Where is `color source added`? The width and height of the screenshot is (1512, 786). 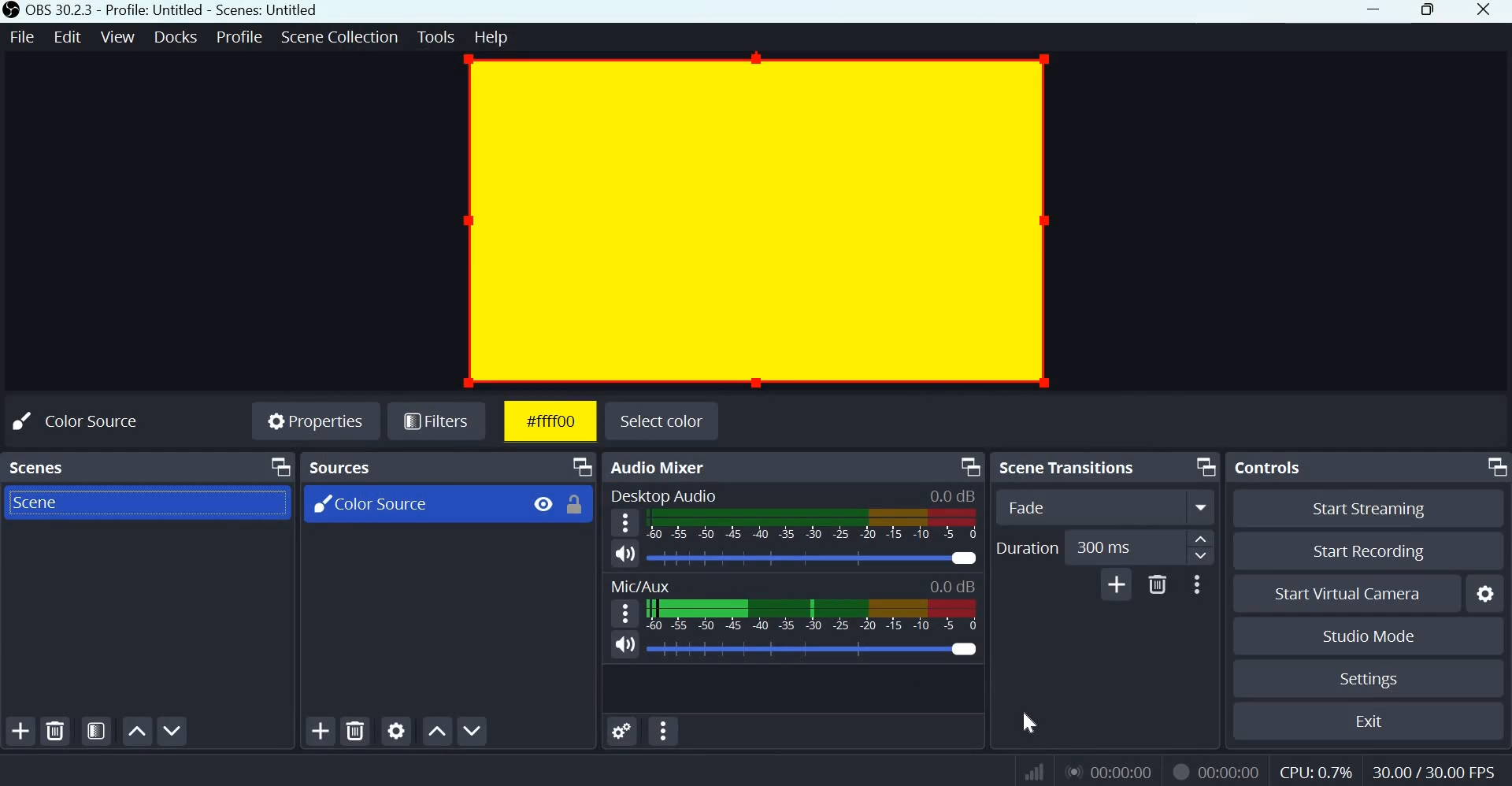 color source added is located at coordinates (548, 421).